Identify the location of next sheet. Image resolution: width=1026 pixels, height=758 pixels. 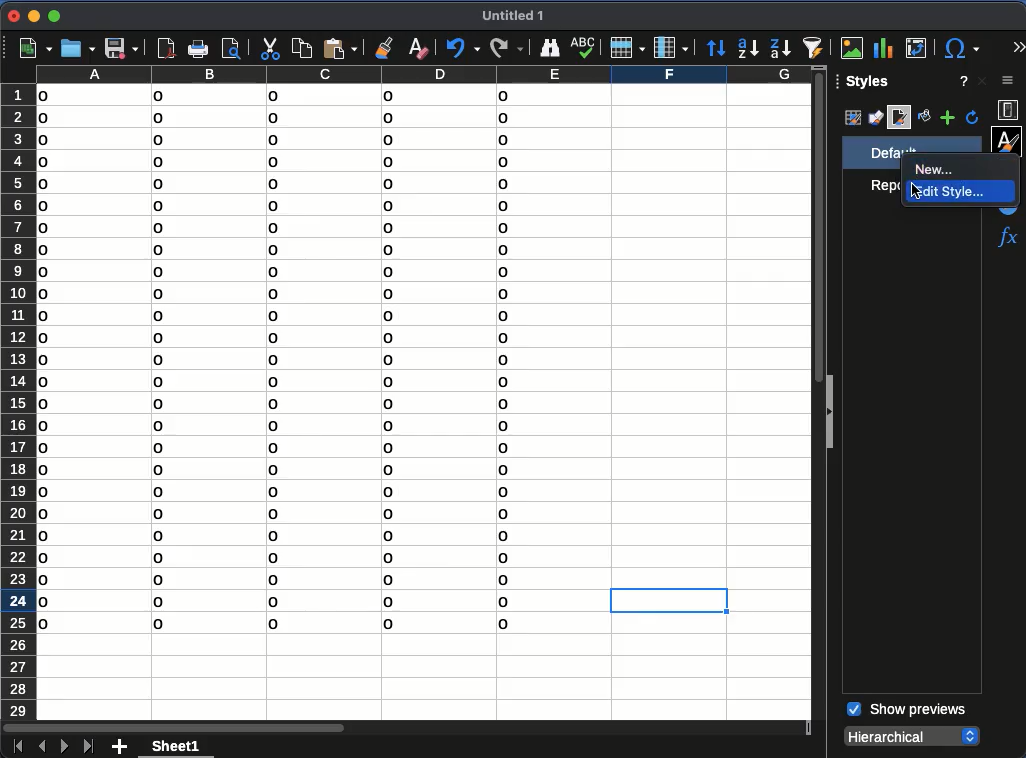
(62, 747).